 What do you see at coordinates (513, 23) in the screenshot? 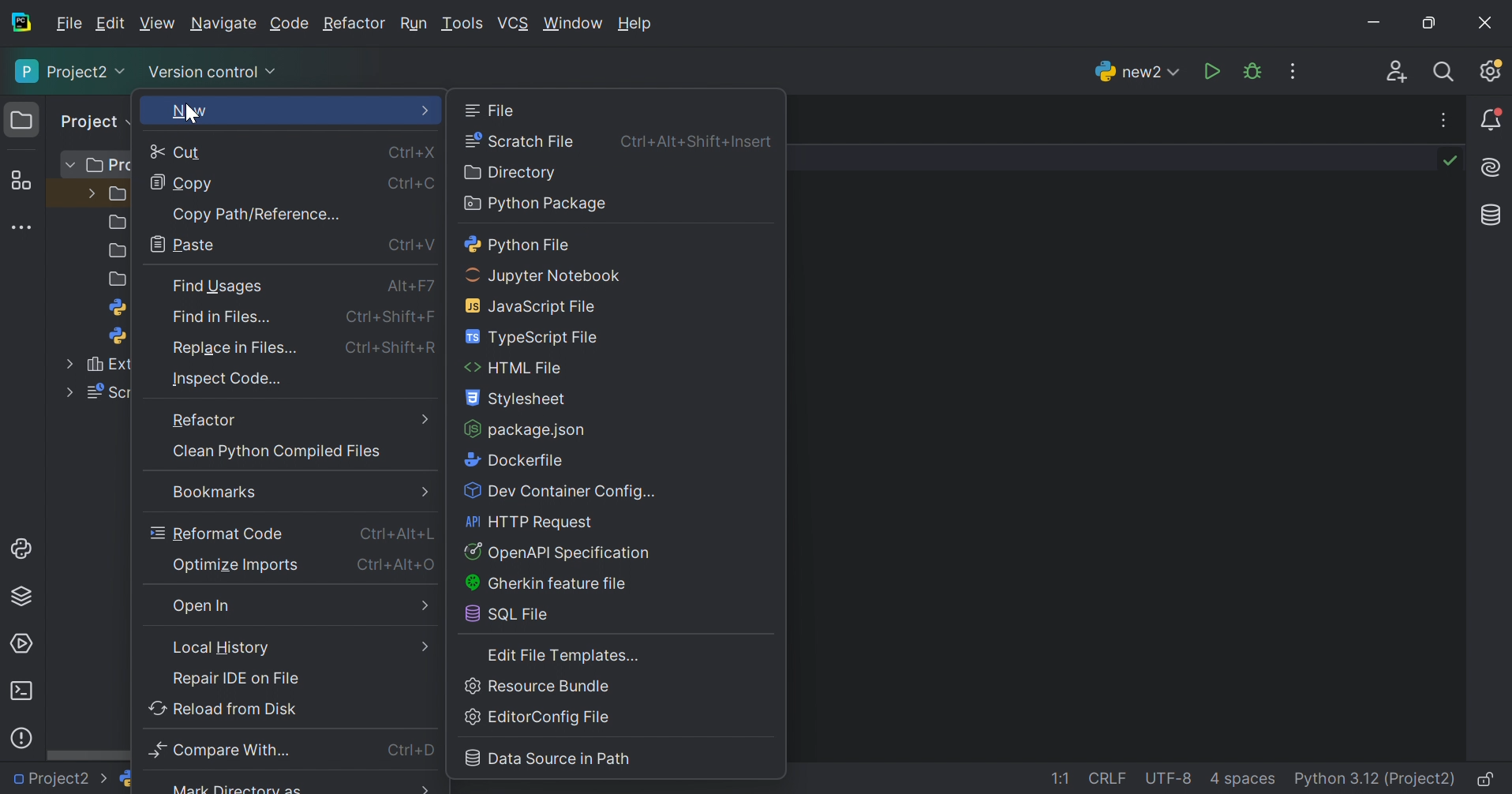
I see `VCS` at bounding box center [513, 23].